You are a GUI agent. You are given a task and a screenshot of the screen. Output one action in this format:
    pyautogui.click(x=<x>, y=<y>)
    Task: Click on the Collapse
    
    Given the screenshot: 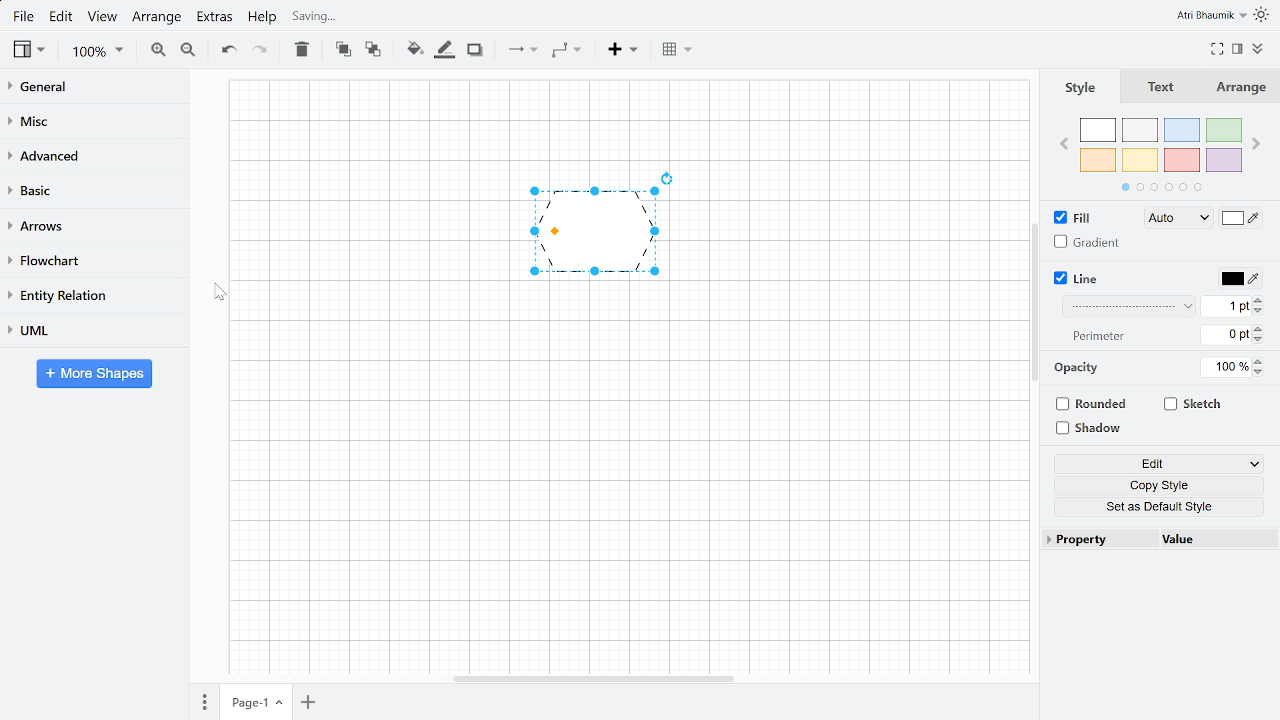 What is the action you would take?
    pyautogui.click(x=1261, y=48)
    